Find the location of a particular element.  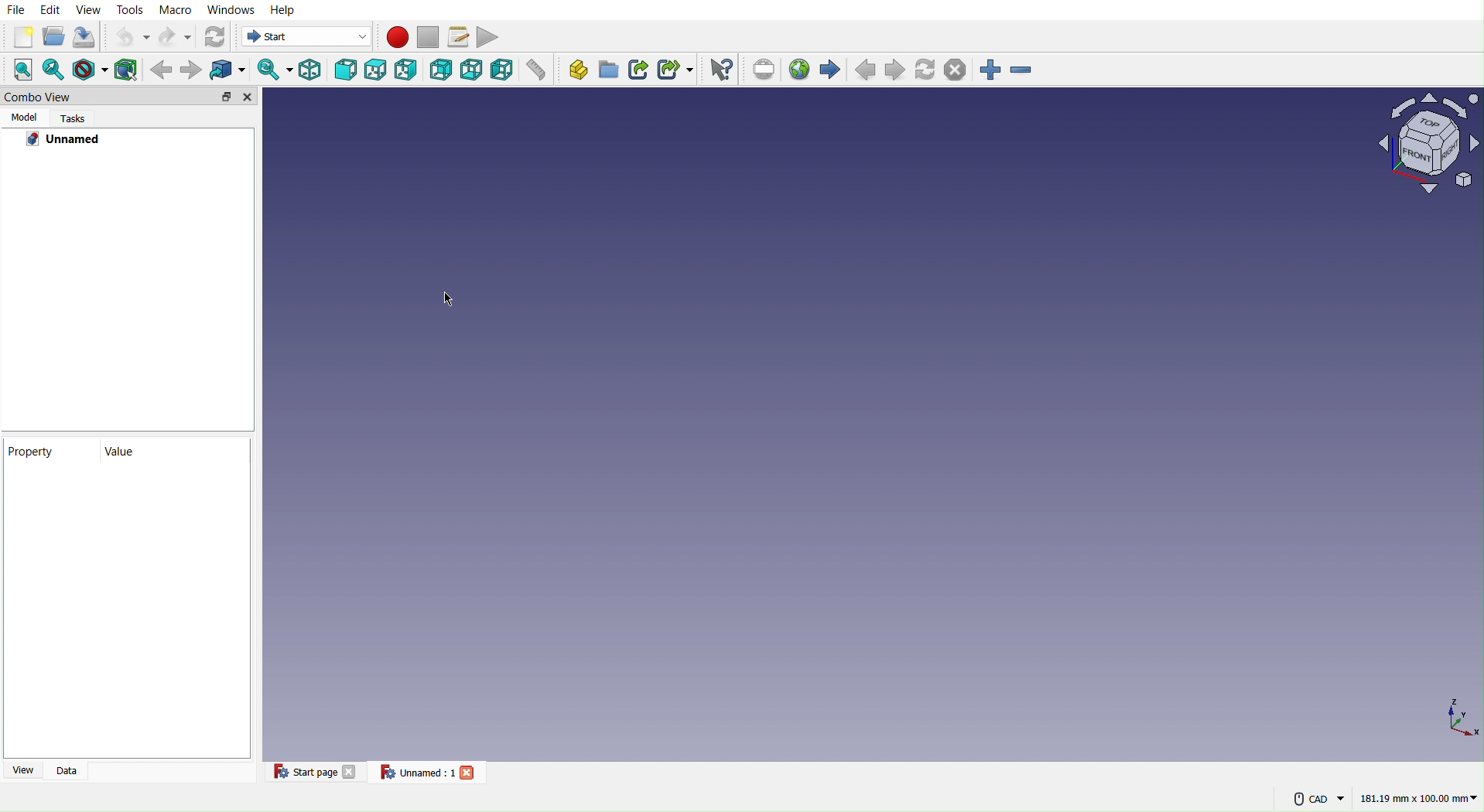

Set to left view is located at coordinates (502, 70).